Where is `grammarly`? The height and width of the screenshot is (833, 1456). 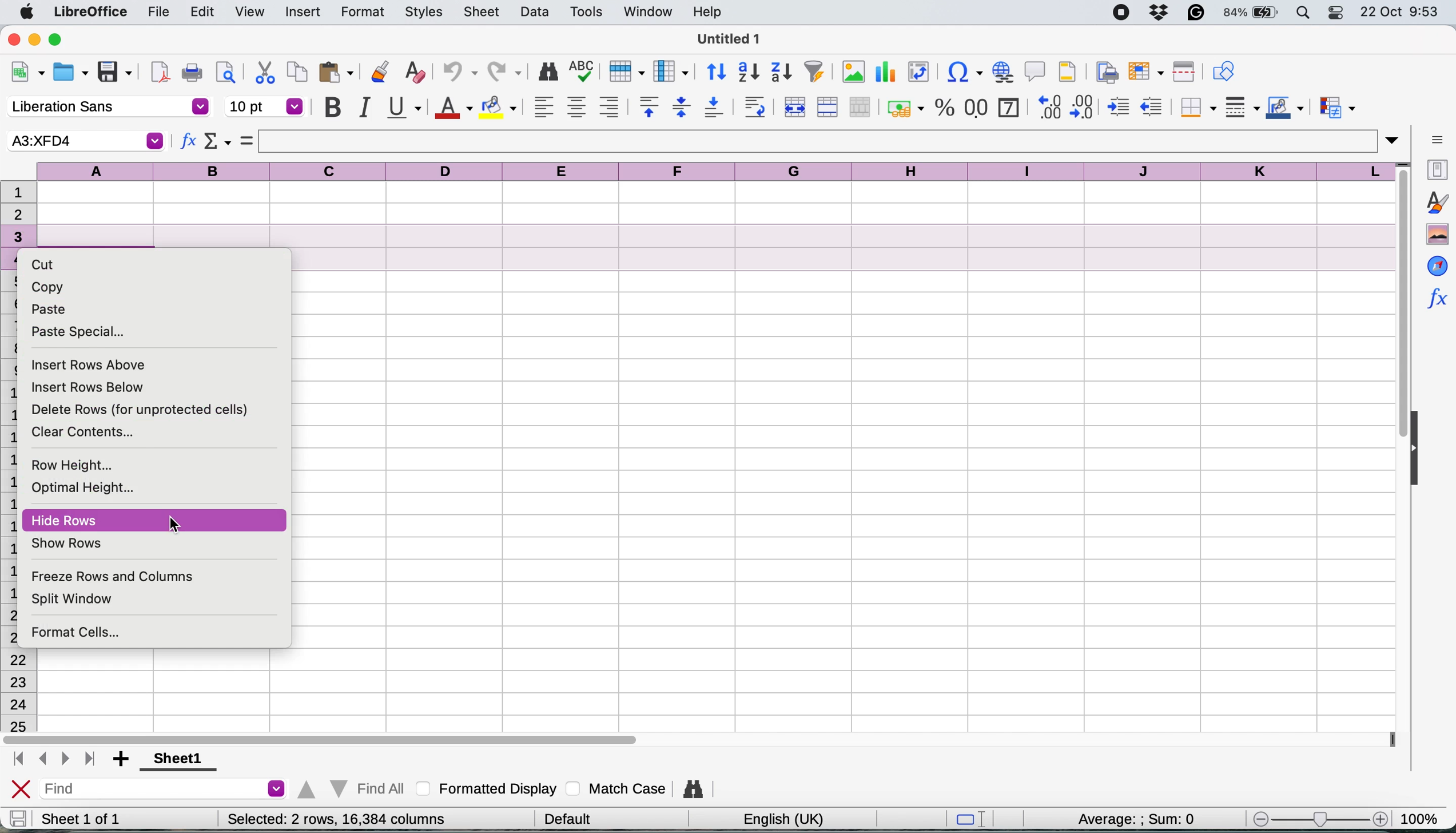
grammarly is located at coordinates (1198, 12).